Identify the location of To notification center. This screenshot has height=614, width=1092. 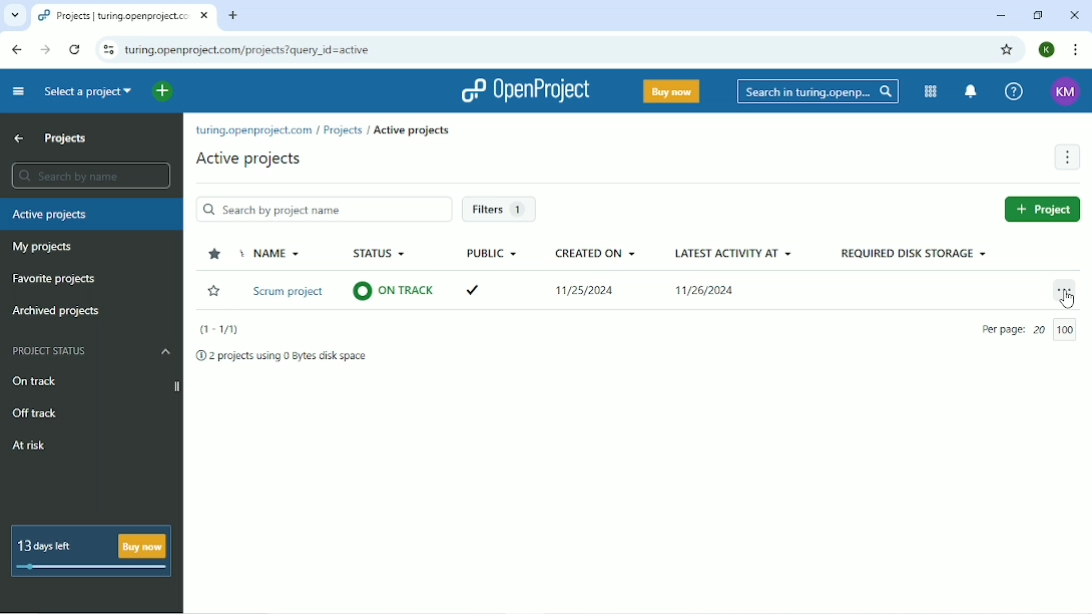
(970, 92).